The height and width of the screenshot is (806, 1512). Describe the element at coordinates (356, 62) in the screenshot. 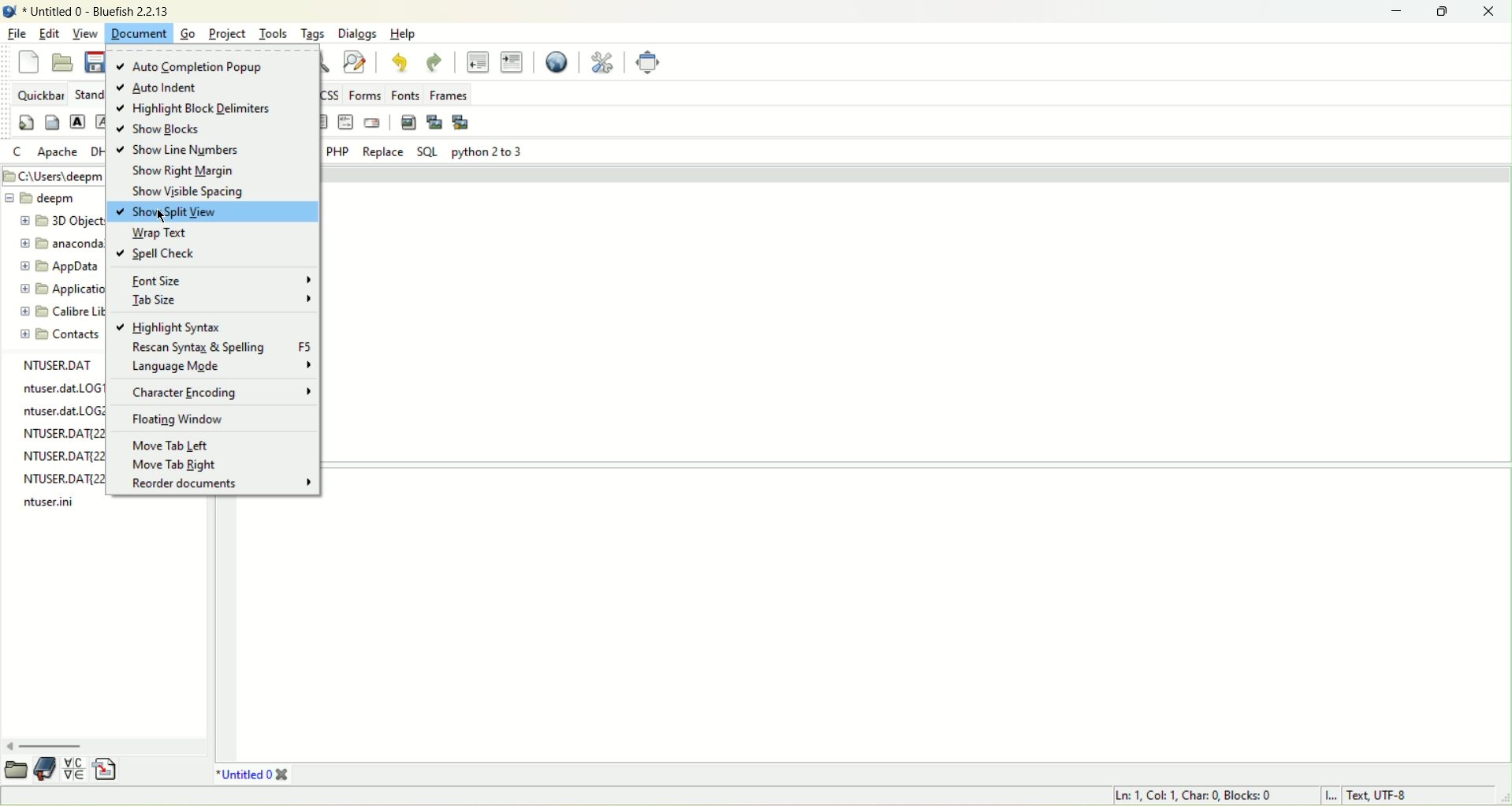

I see `find and replace` at that location.